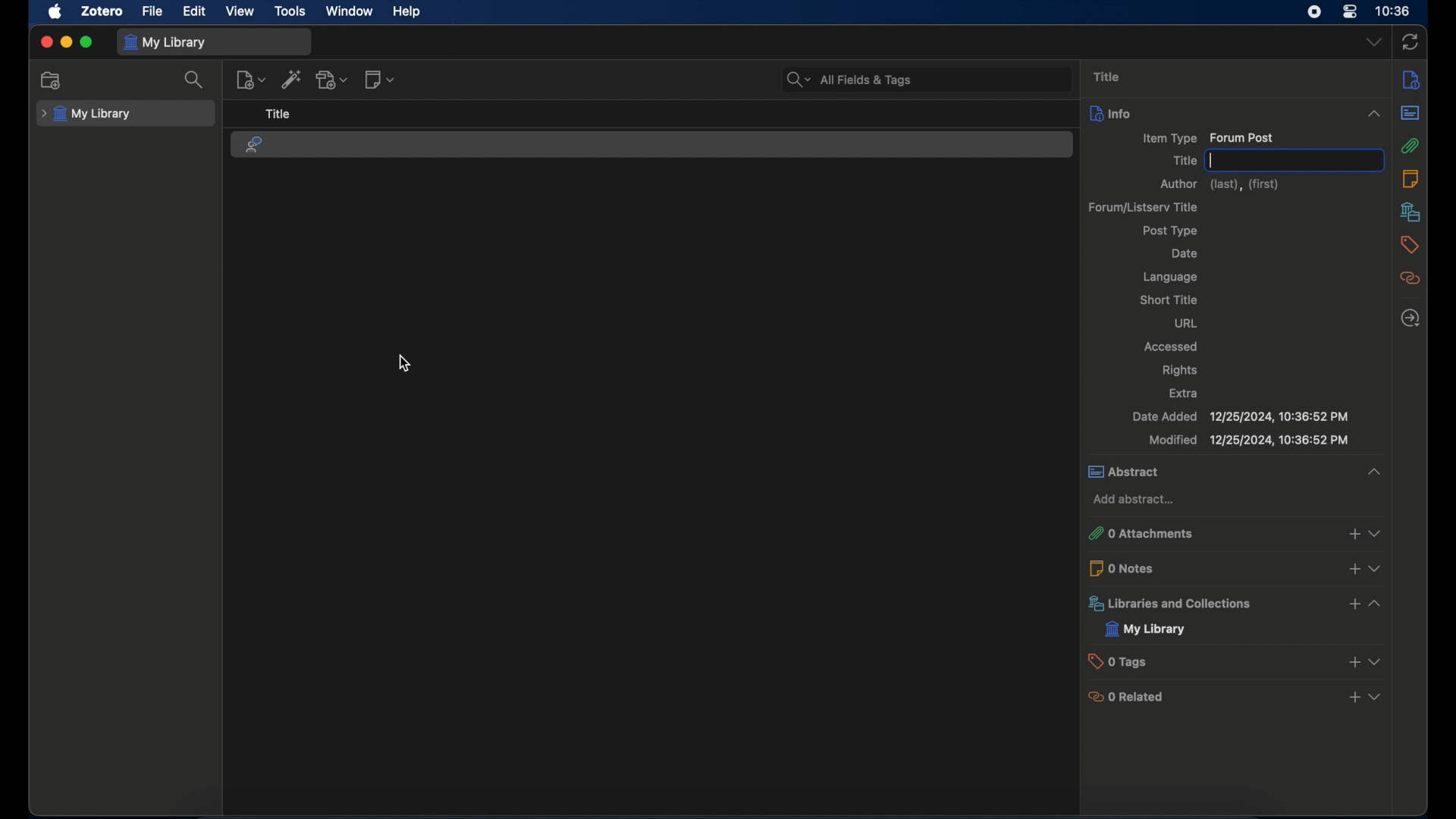 The height and width of the screenshot is (819, 1456). What do you see at coordinates (1183, 393) in the screenshot?
I see `extra` at bounding box center [1183, 393].